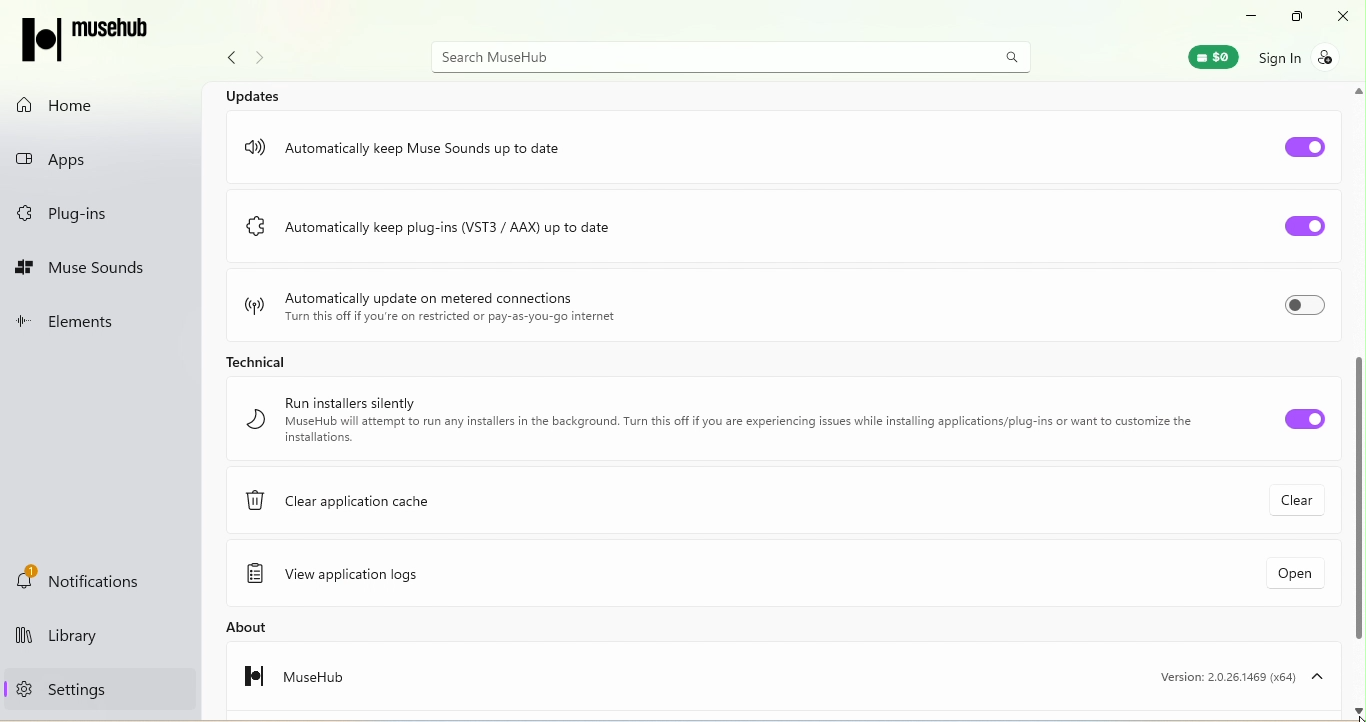 The image size is (1366, 722). I want to click on Updates, so click(257, 94).